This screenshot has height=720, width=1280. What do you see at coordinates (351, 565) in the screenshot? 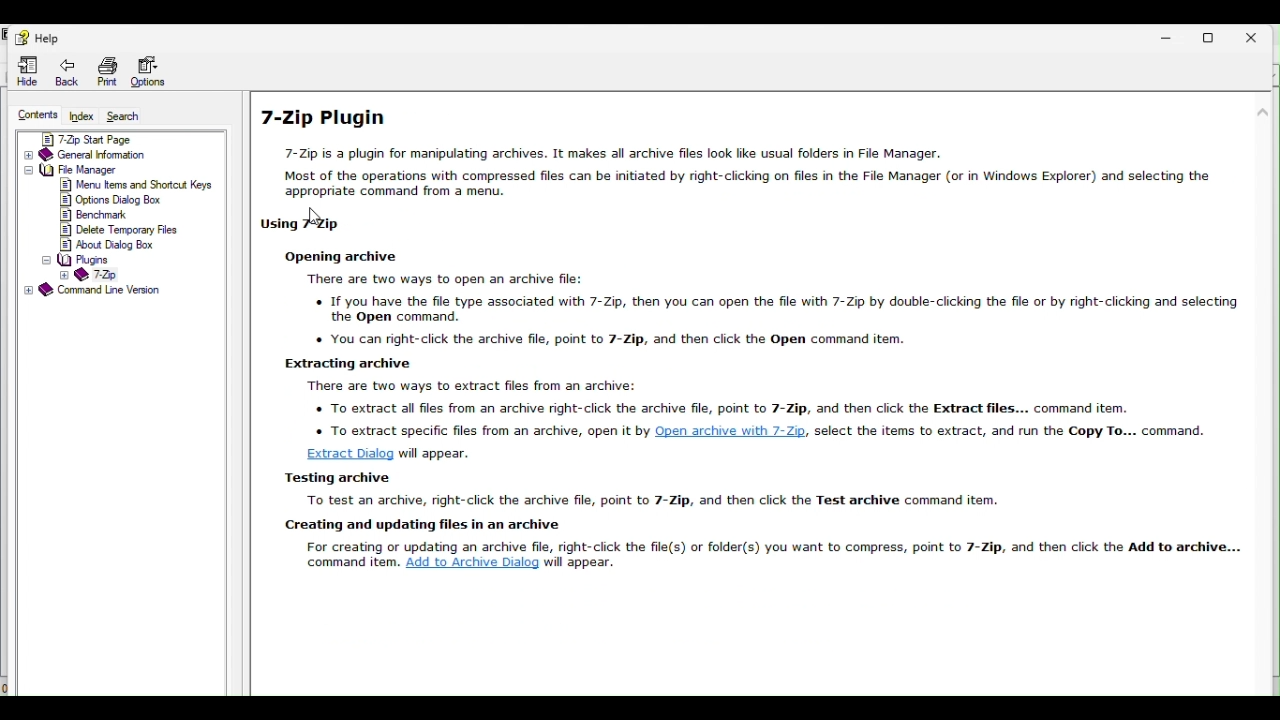
I see `command item` at bounding box center [351, 565].